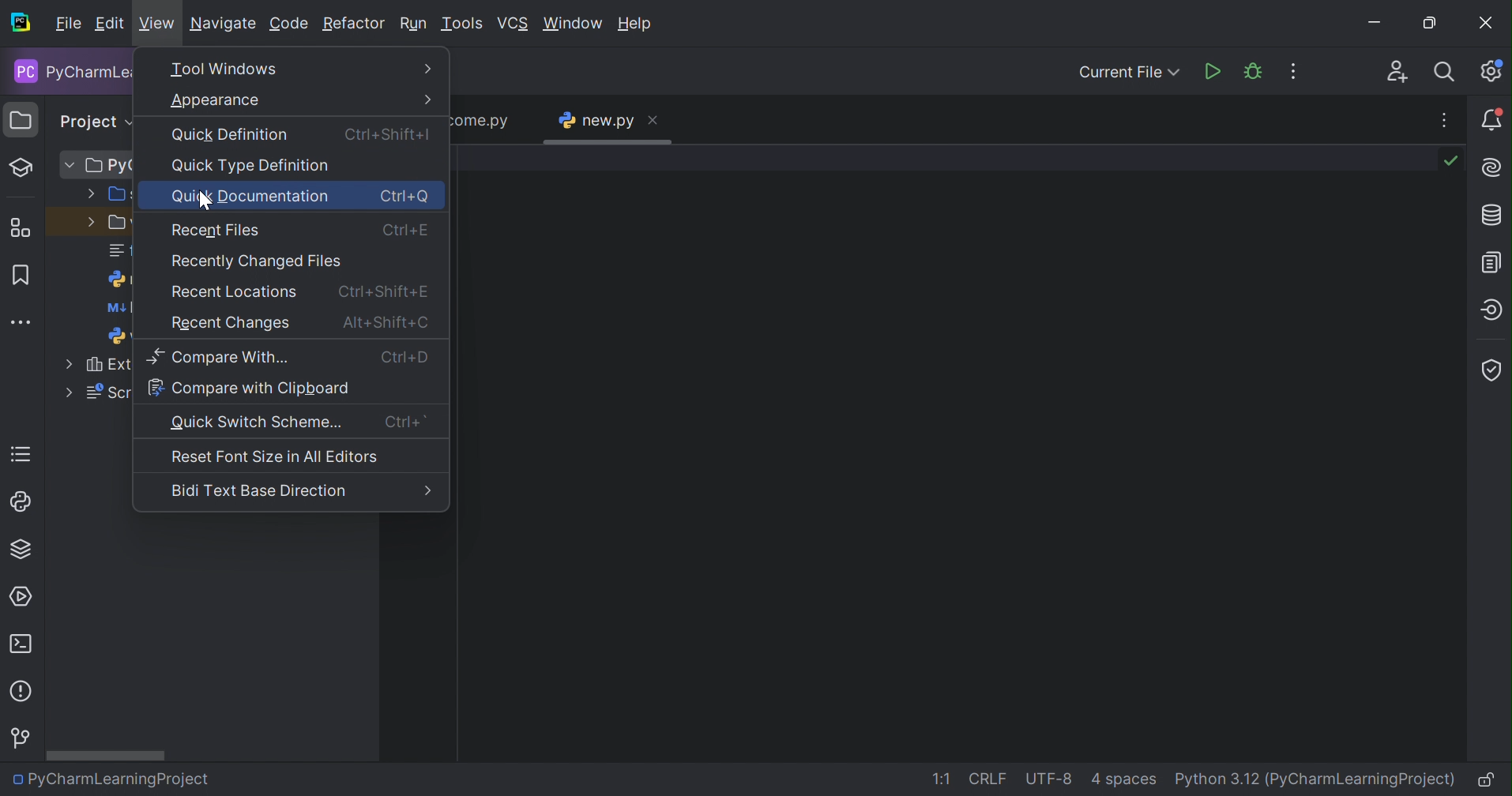 This screenshot has height=796, width=1512. What do you see at coordinates (222, 25) in the screenshot?
I see `Navigate` at bounding box center [222, 25].